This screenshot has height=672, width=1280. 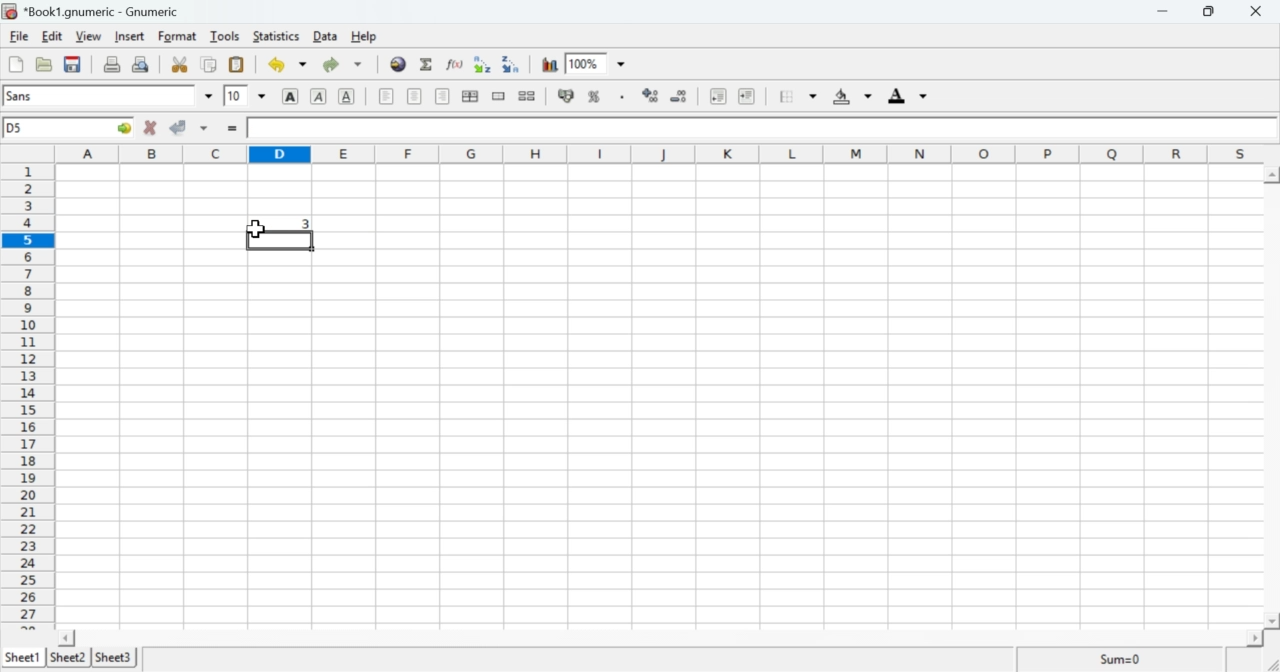 What do you see at coordinates (115, 657) in the screenshot?
I see `Sheet 3` at bounding box center [115, 657].